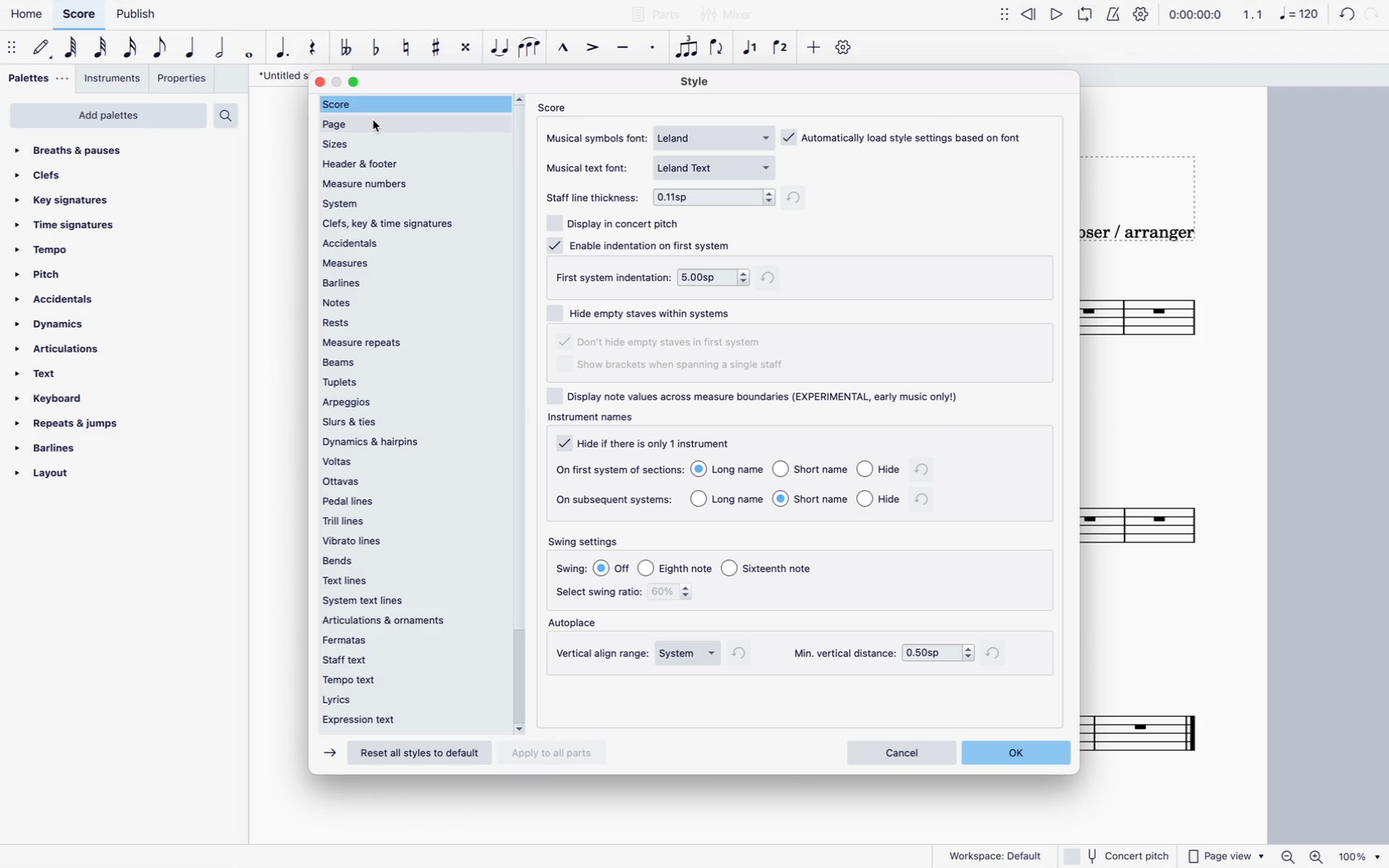  I want to click on style, so click(699, 81).